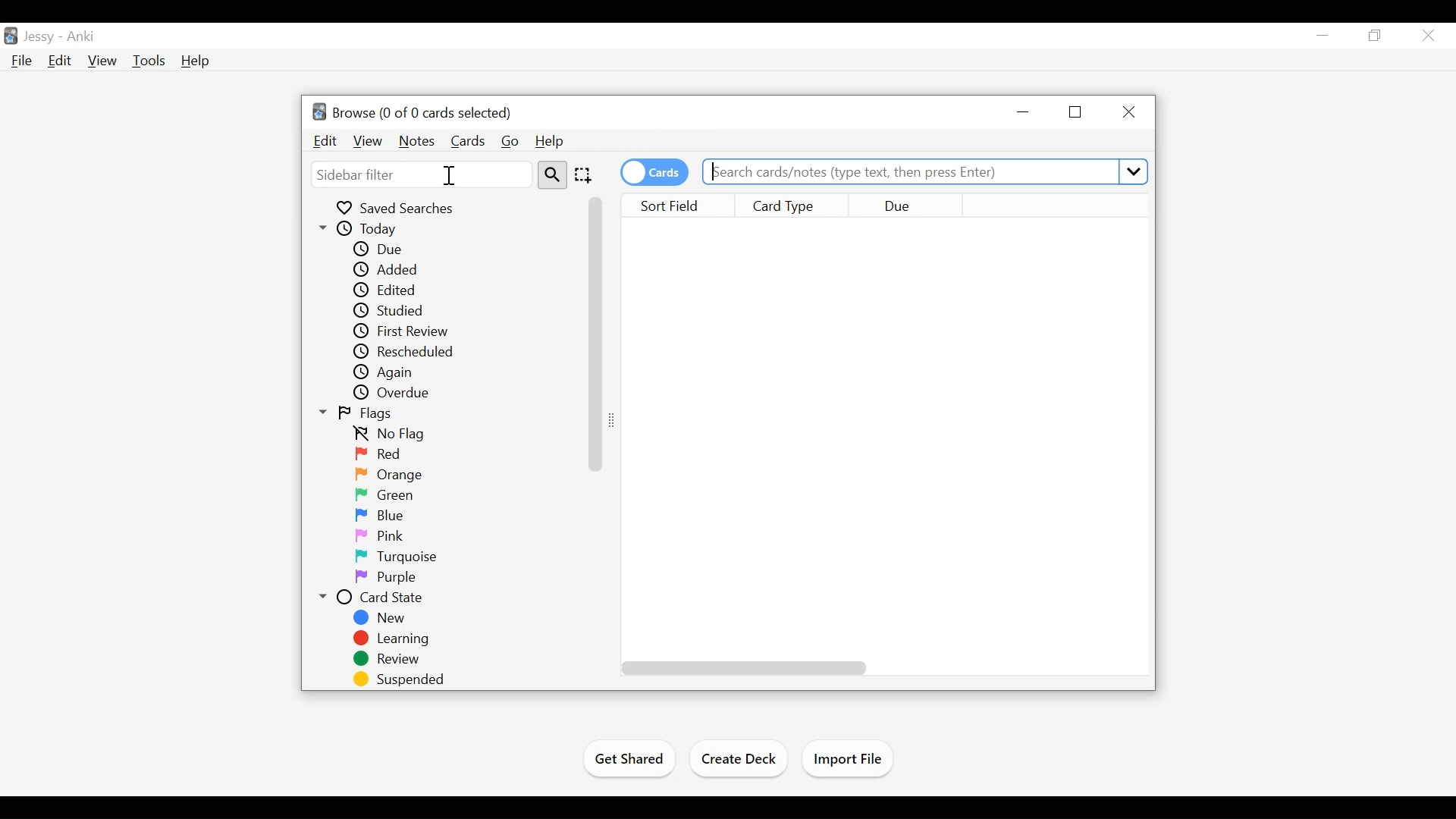  I want to click on Create Deck, so click(741, 758).